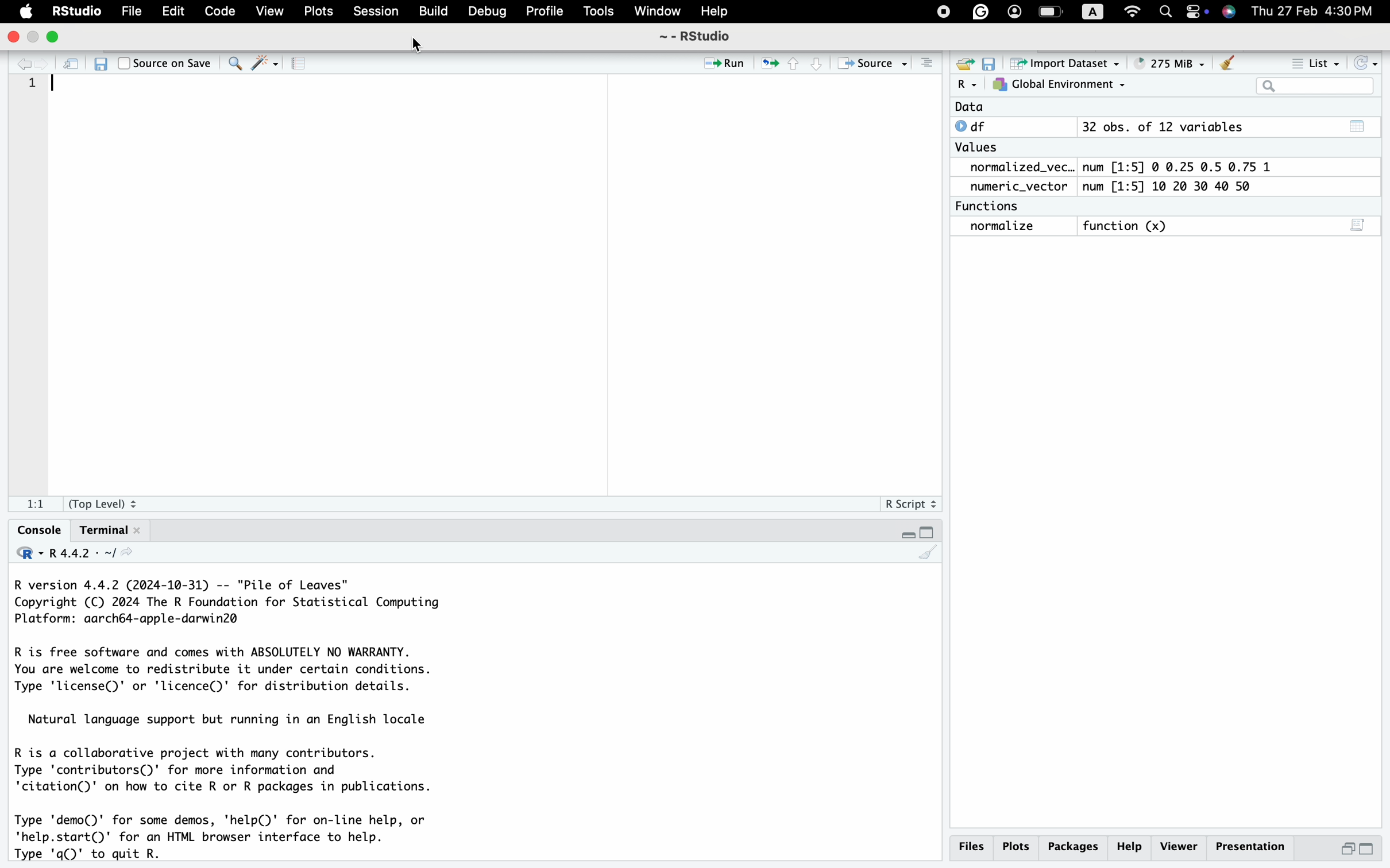 The height and width of the screenshot is (868, 1390). What do you see at coordinates (966, 63) in the screenshot?
I see `load workspace` at bounding box center [966, 63].